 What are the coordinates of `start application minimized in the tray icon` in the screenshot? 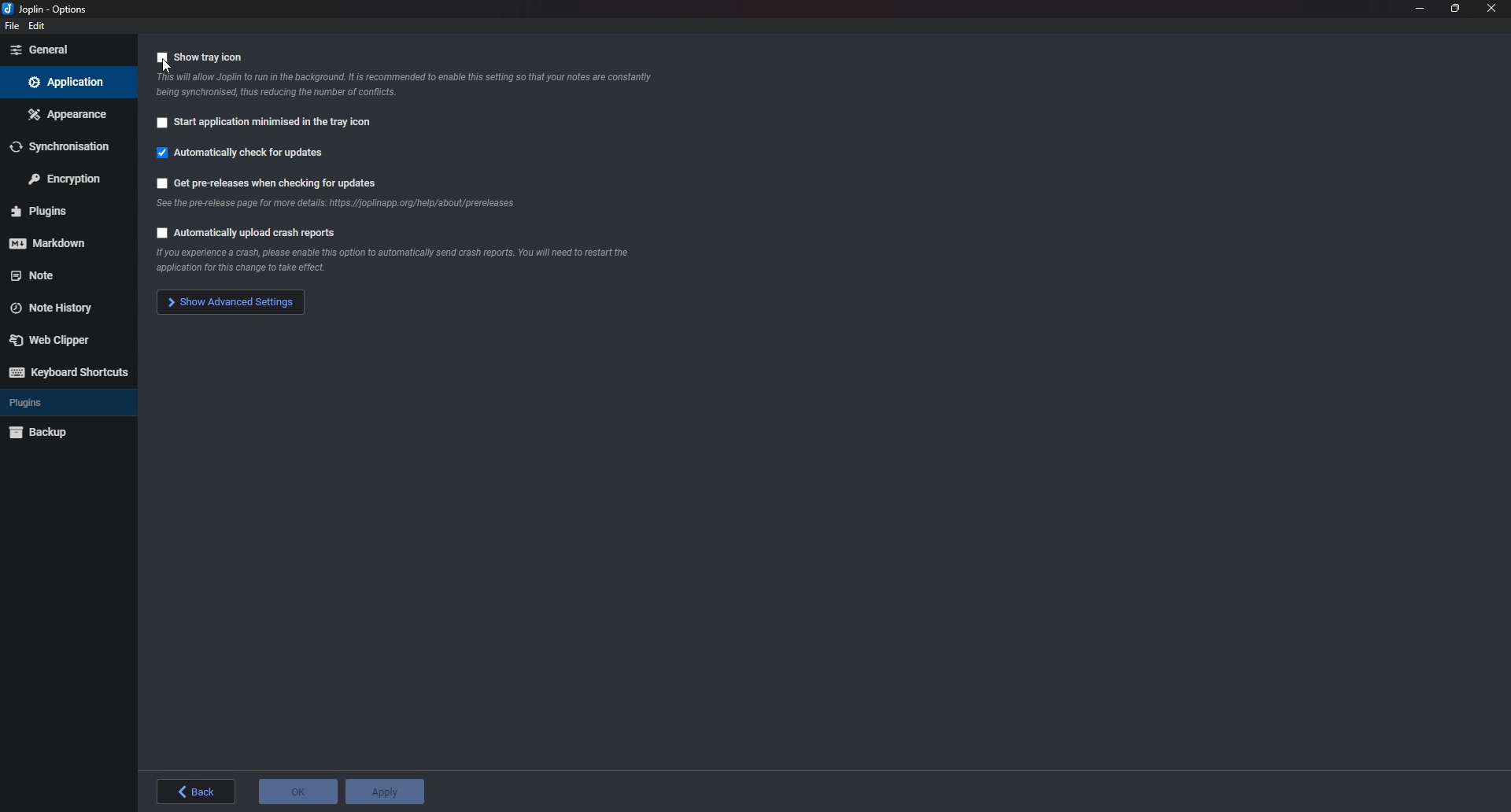 It's located at (268, 125).